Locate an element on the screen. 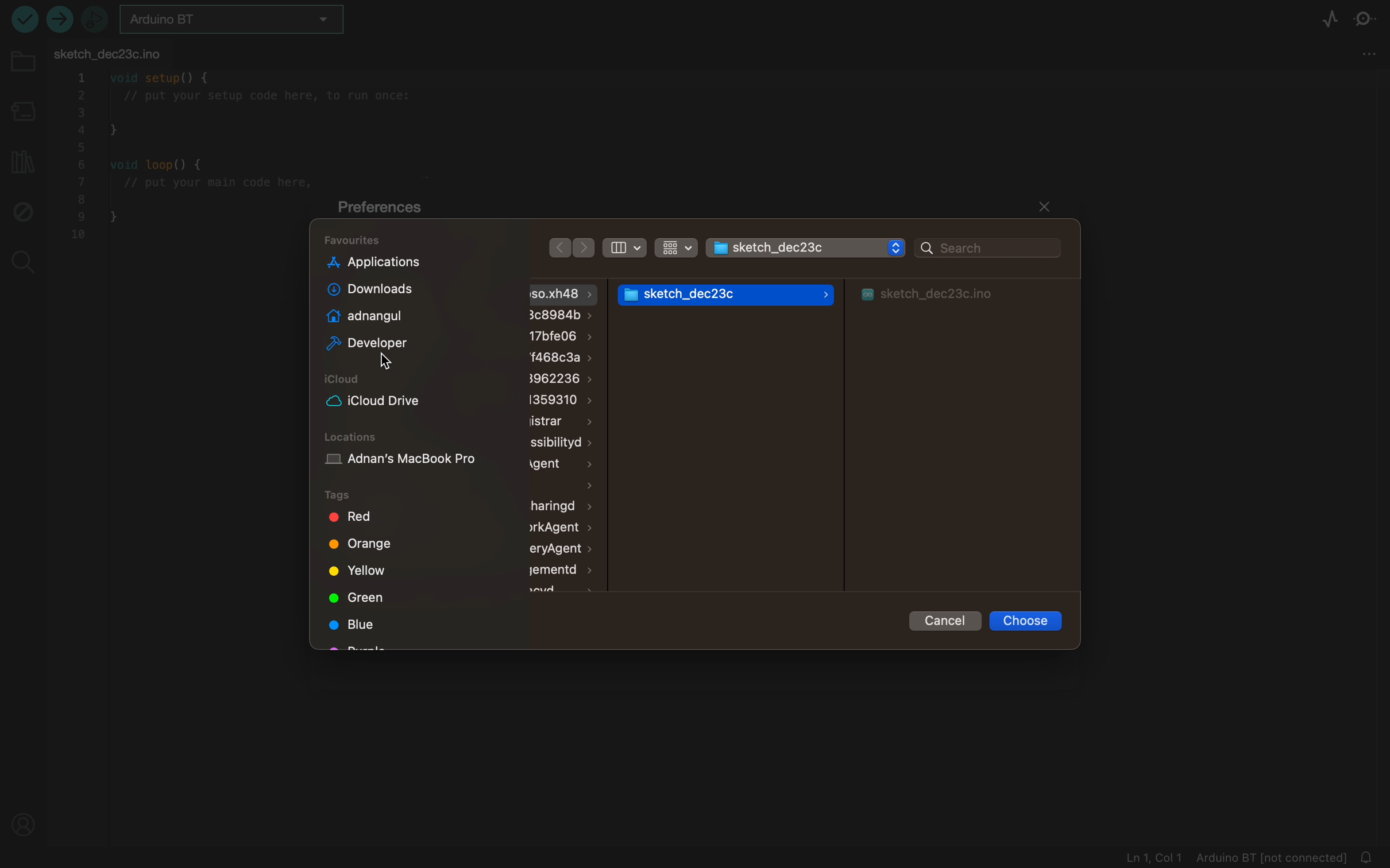  yellow is located at coordinates (359, 573).